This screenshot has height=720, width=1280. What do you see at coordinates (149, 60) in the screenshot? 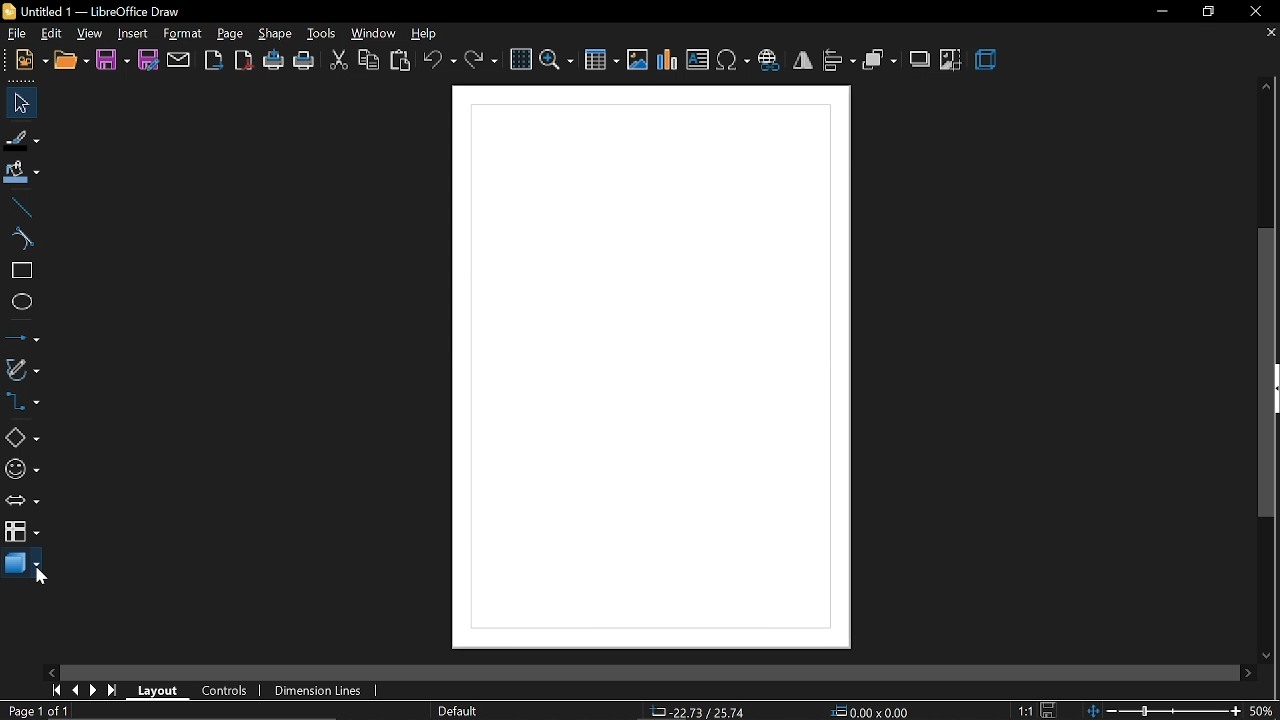
I see `save as` at bounding box center [149, 60].